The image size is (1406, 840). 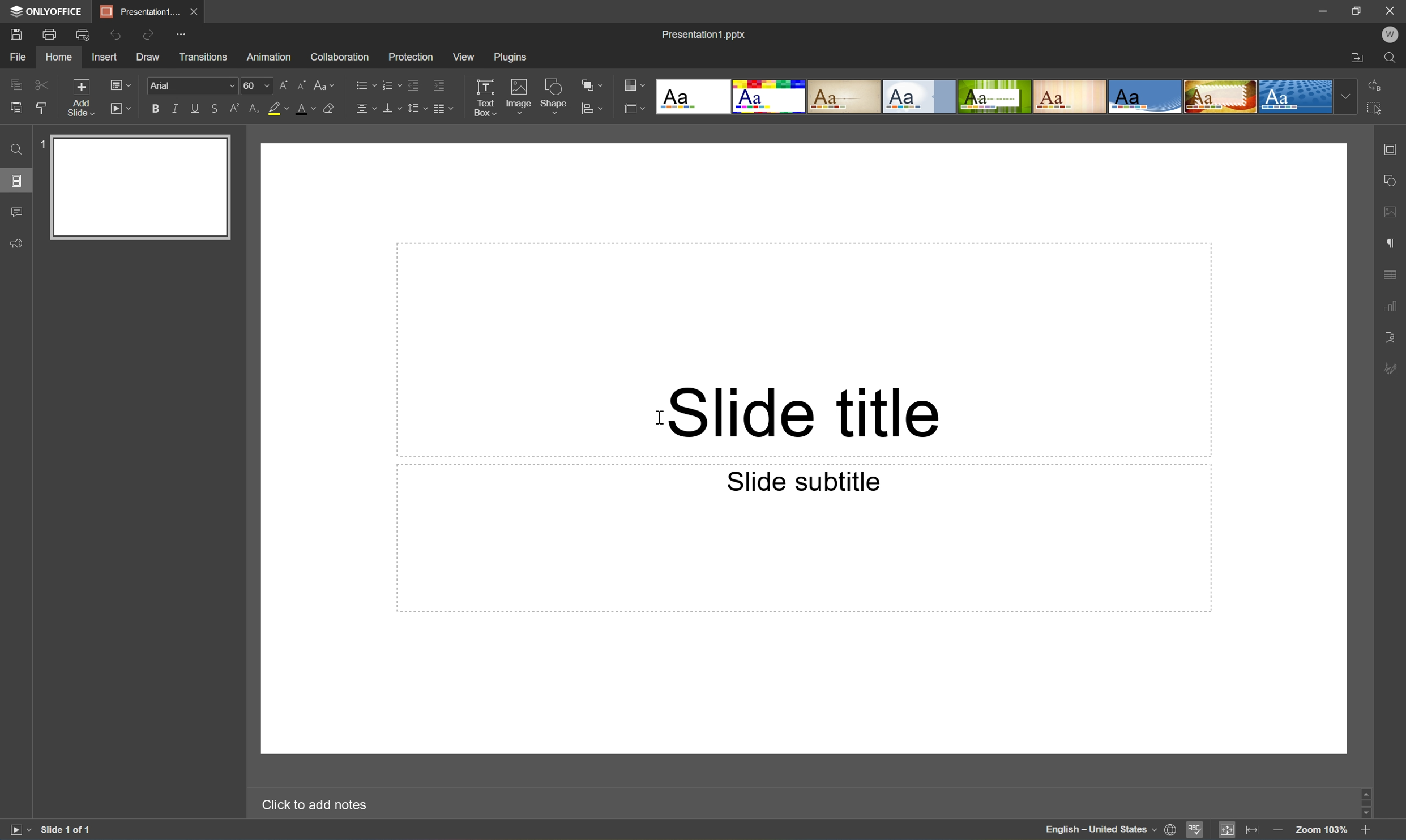 I want to click on Add slide, so click(x=79, y=97).